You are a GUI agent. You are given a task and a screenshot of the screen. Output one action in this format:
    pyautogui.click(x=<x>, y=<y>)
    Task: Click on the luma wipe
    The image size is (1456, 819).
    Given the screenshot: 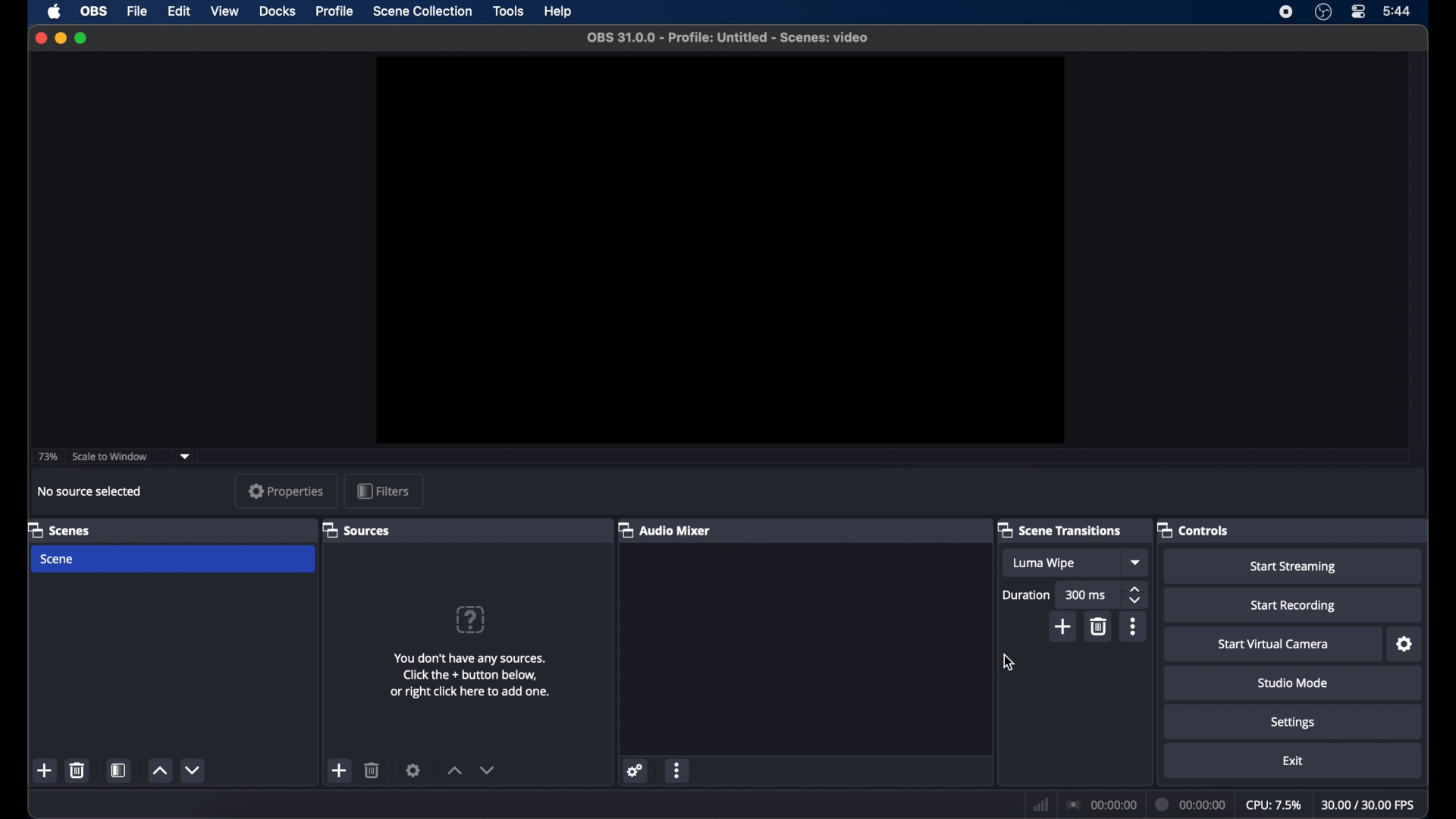 What is the action you would take?
    pyautogui.click(x=1046, y=563)
    